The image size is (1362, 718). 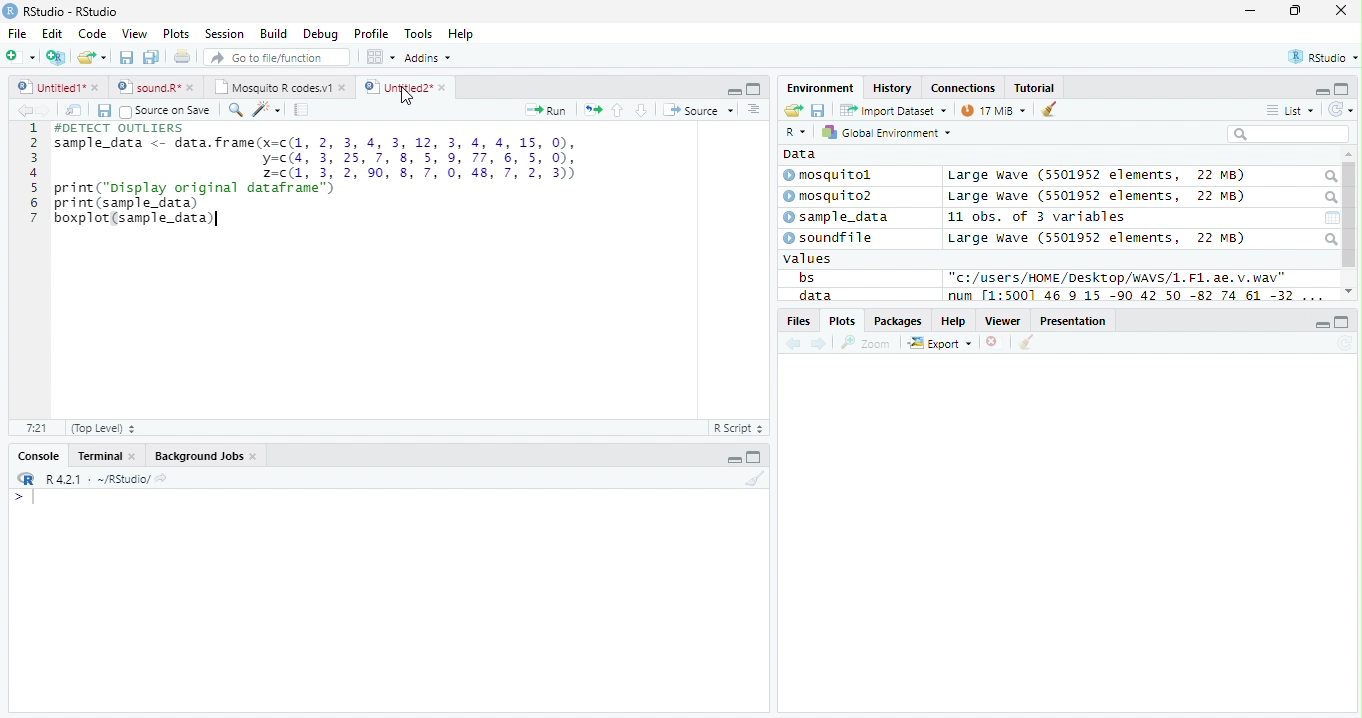 I want to click on Create a project, so click(x=58, y=57).